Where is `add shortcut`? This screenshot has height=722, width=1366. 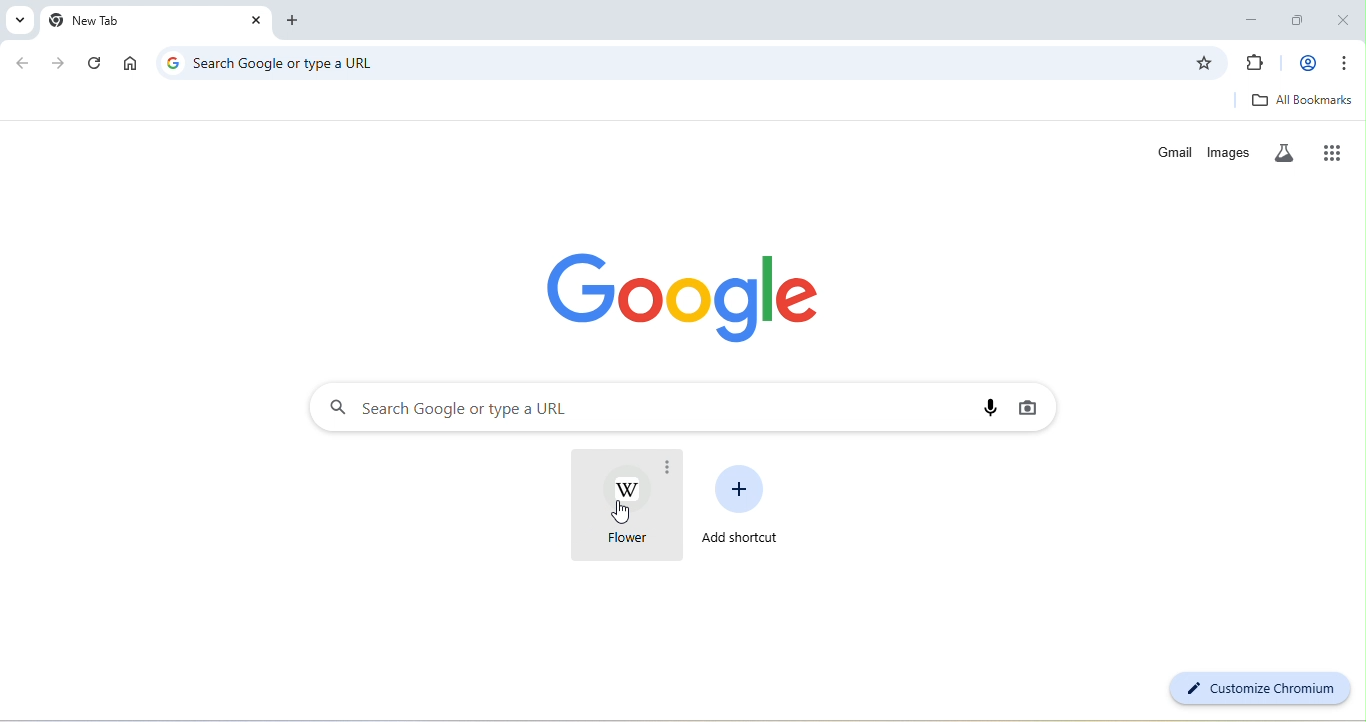
add shortcut is located at coordinates (744, 503).